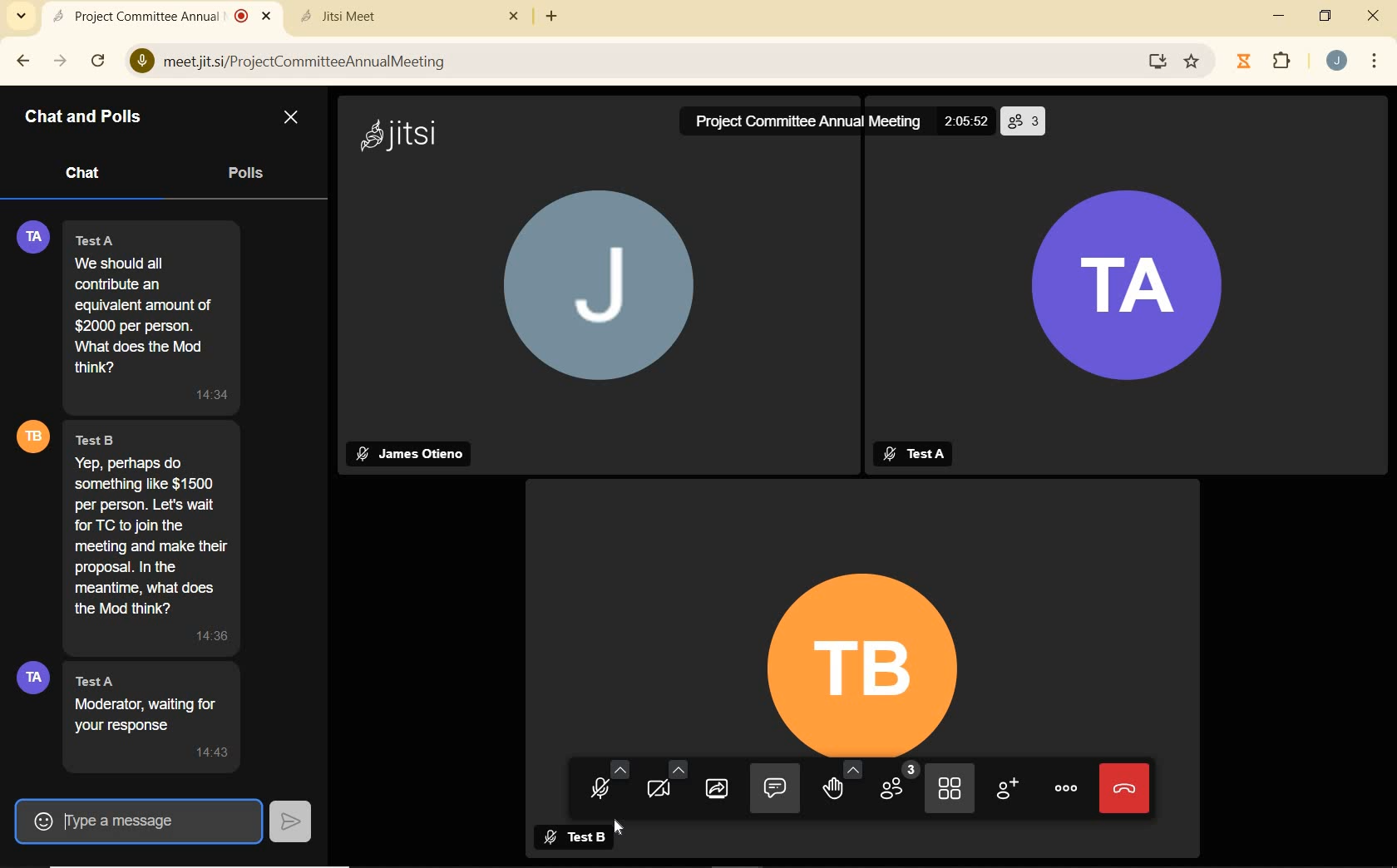 This screenshot has height=868, width=1397. Describe the element at coordinates (1006, 789) in the screenshot. I see `invite people` at that location.